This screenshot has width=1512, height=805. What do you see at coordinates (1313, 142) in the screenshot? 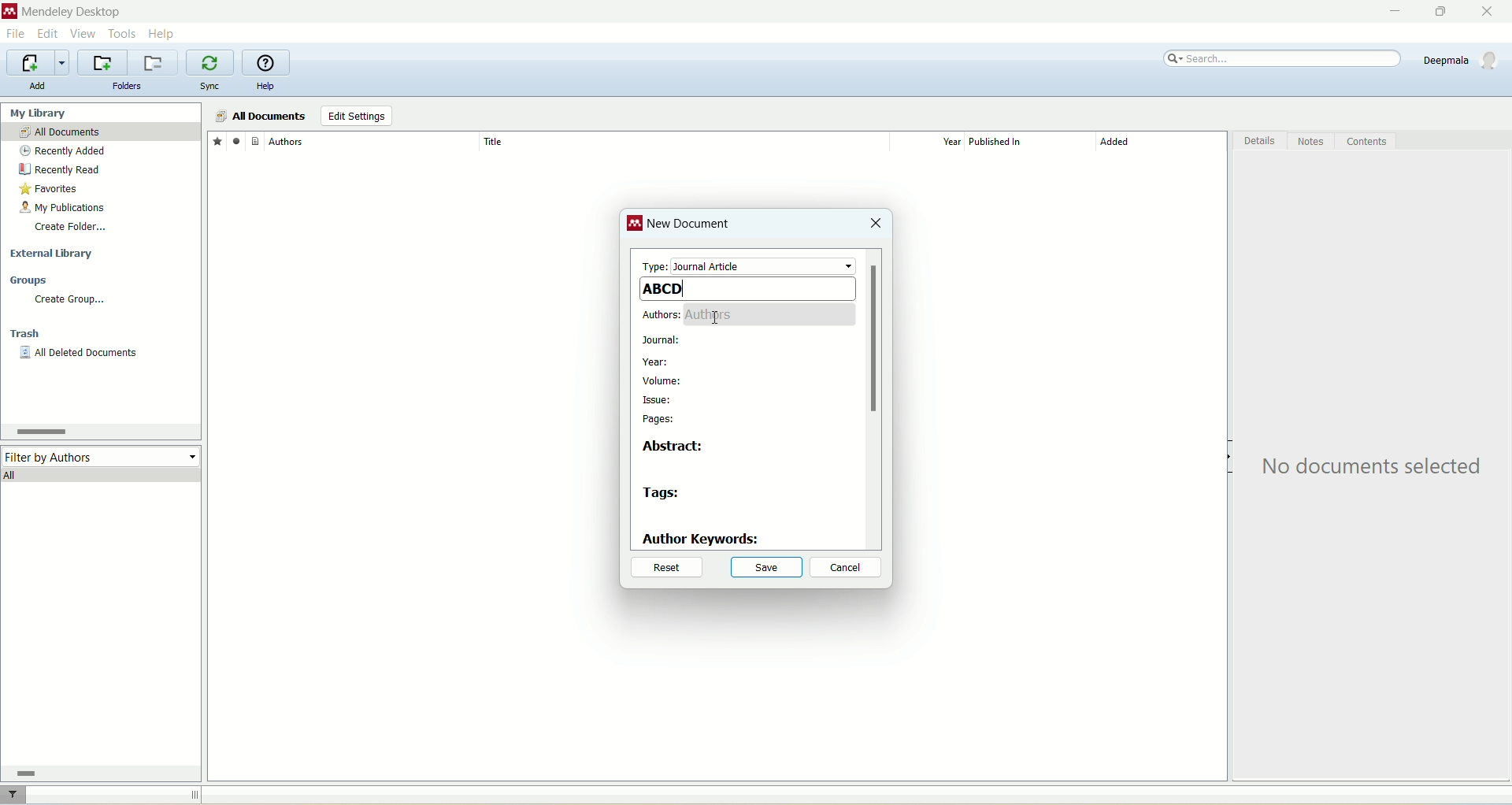
I see `notes` at bounding box center [1313, 142].